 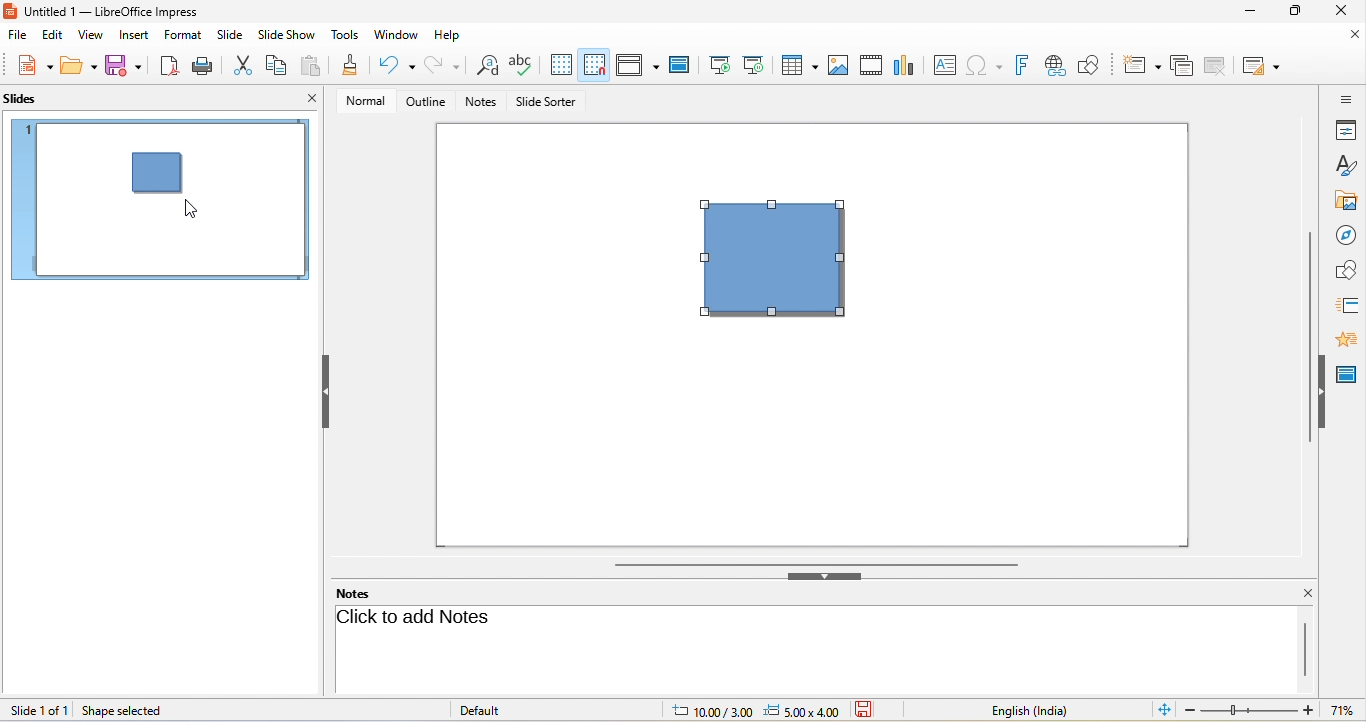 What do you see at coordinates (1303, 648) in the screenshot?
I see `vertical scroll bar` at bounding box center [1303, 648].